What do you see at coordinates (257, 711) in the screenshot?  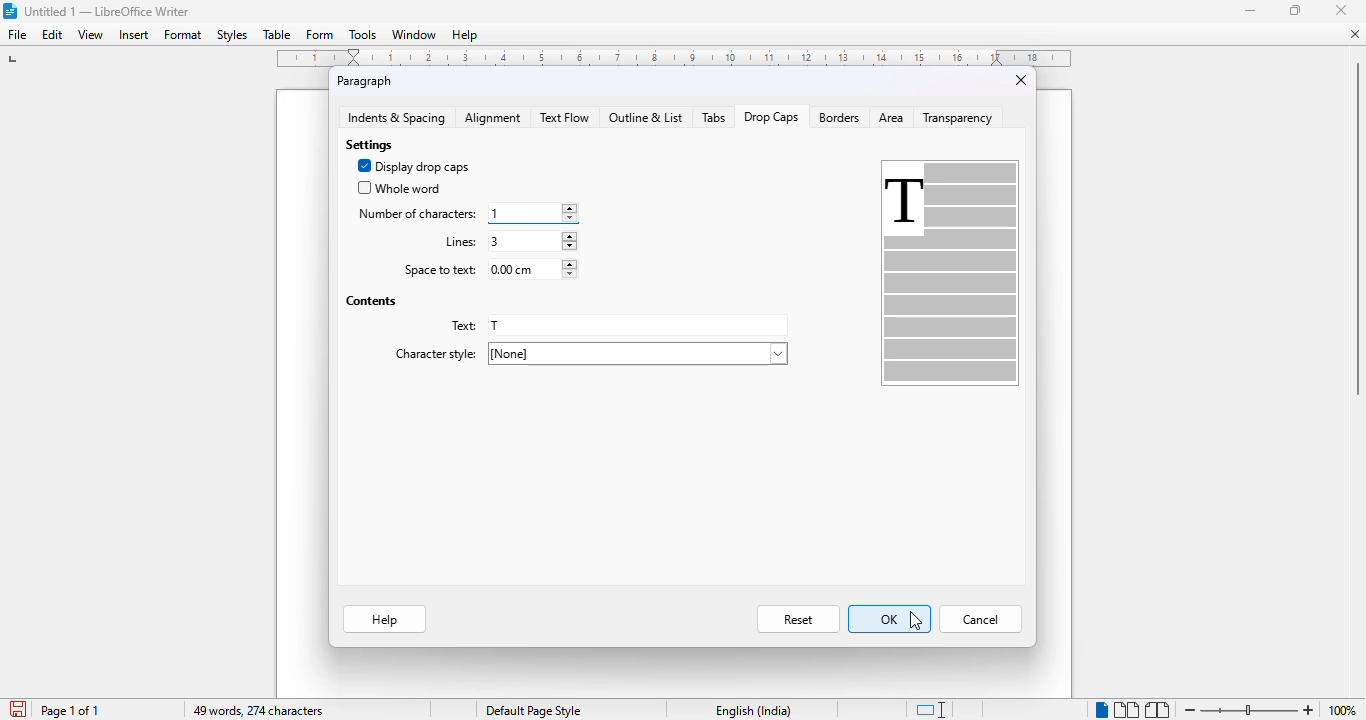 I see `49 words, 274 characters` at bounding box center [257, 711].